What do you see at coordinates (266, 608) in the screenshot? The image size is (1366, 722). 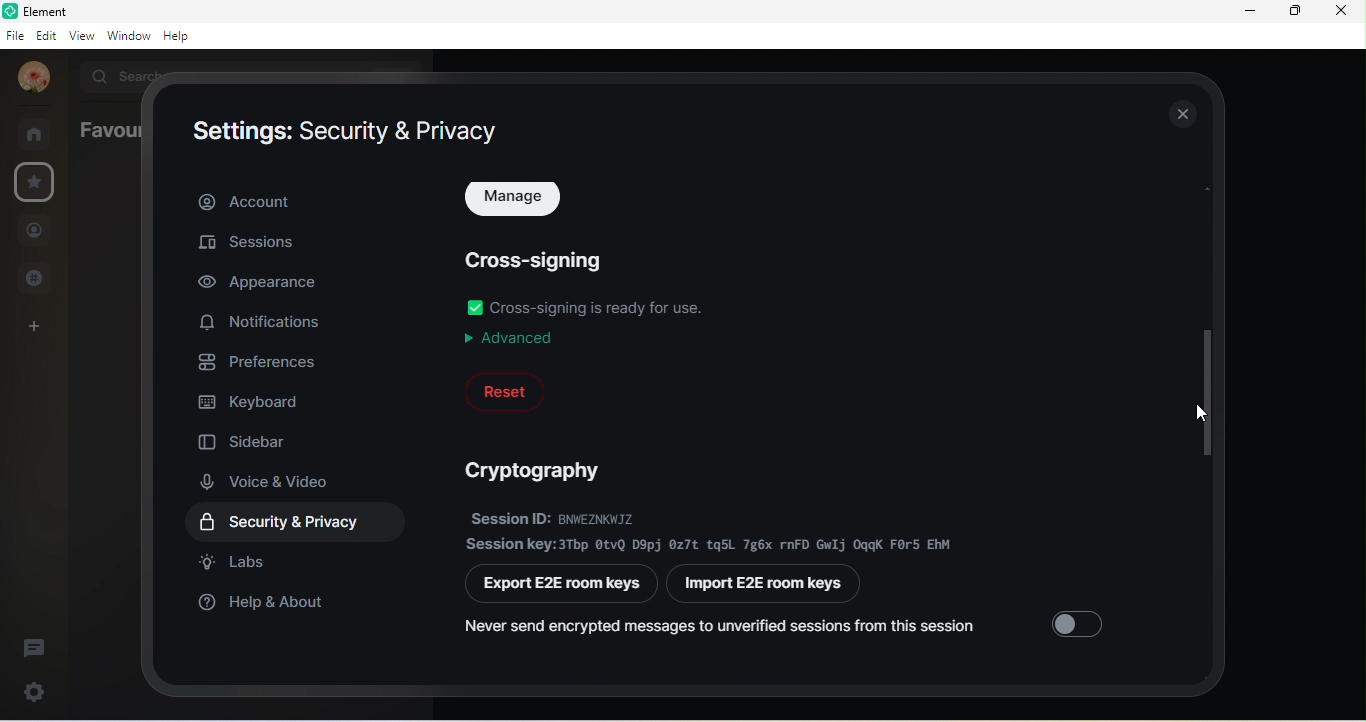 I see `help & about` at bounding box center [266, 608].